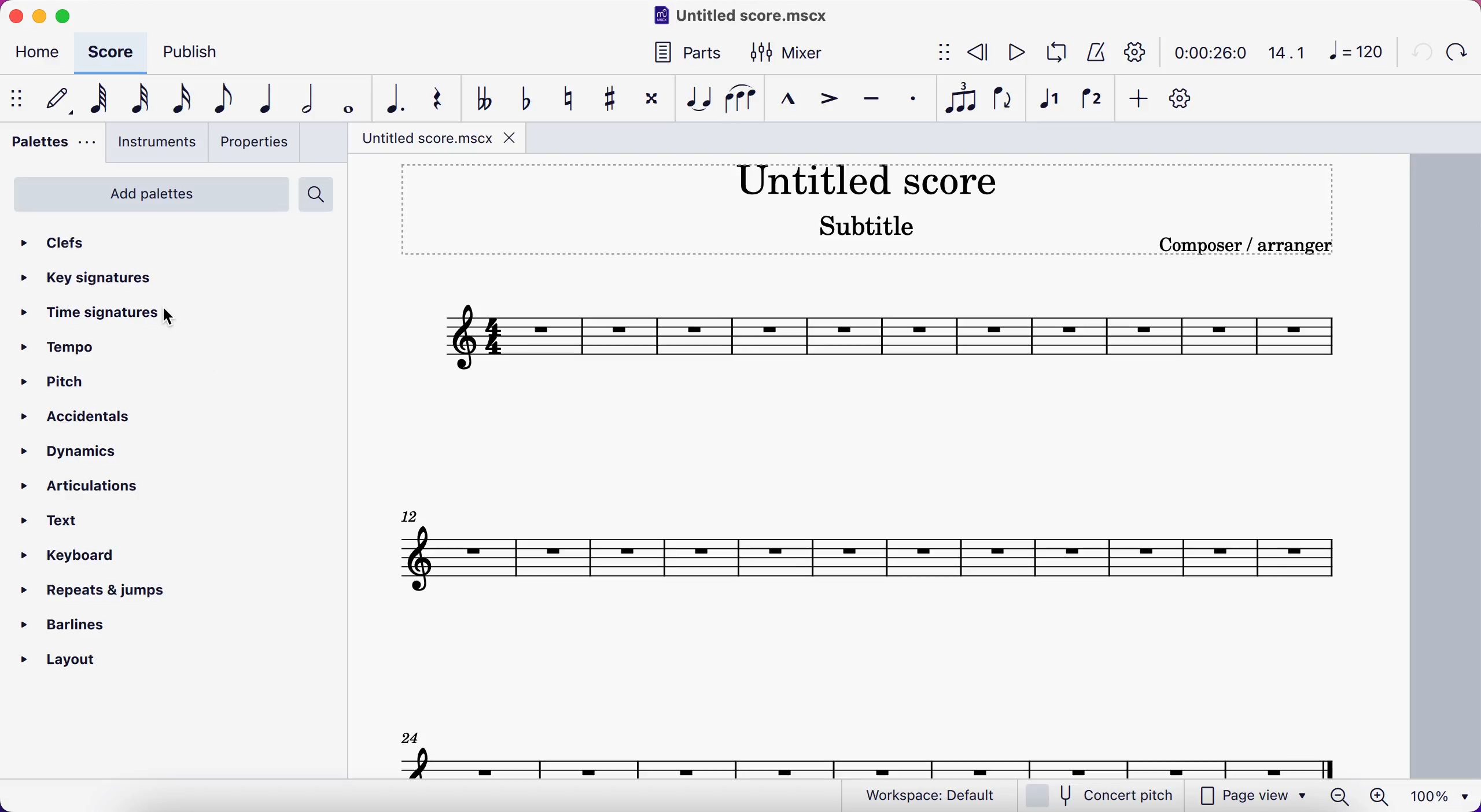 Image resolution: width=1481 pixels, height=812 pixels. Describe the element at coordinates (108, 280) in the screenshot. I see `key signatures` at that location.